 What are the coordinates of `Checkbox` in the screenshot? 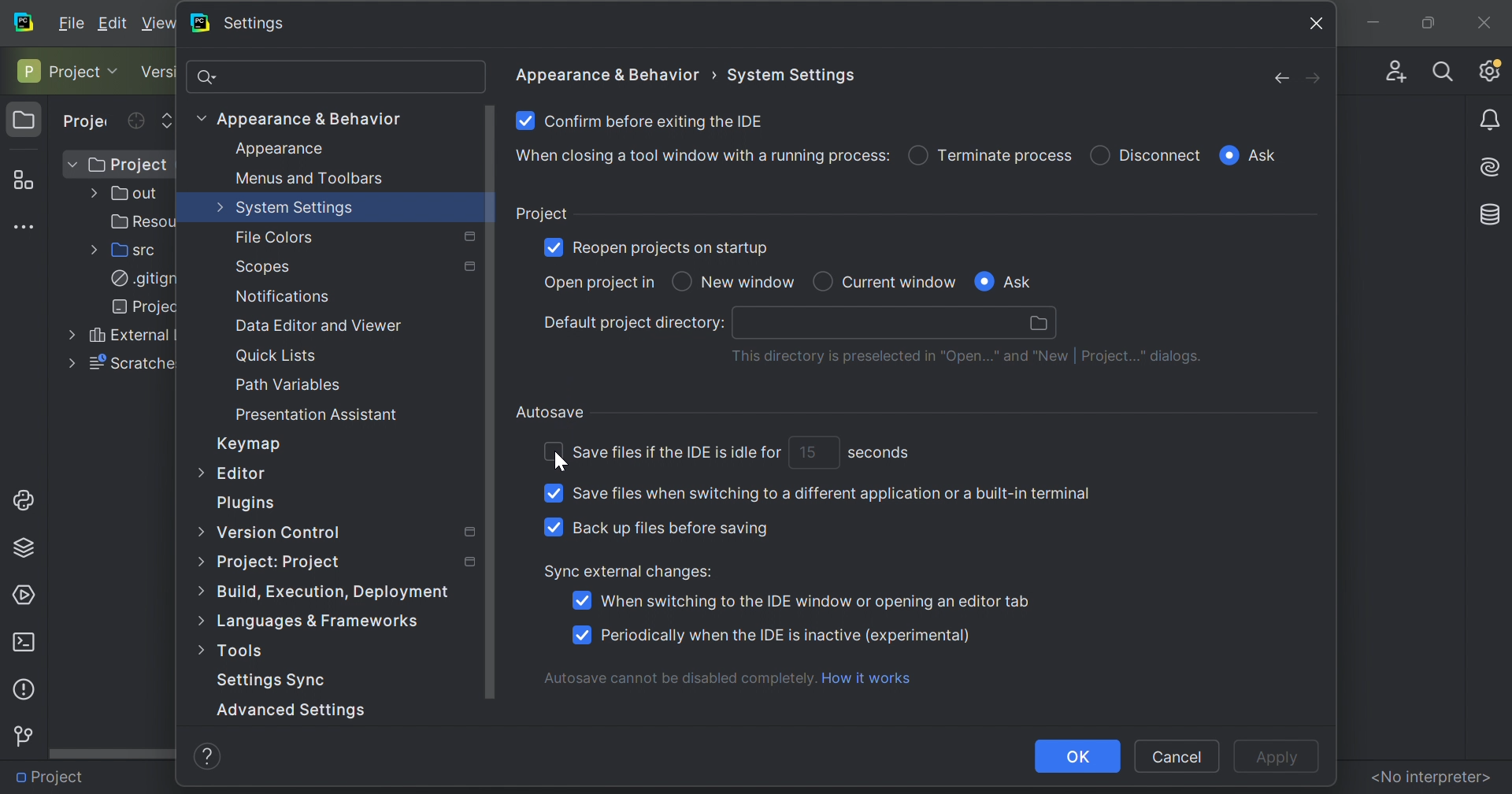 It's located at (681, 281).